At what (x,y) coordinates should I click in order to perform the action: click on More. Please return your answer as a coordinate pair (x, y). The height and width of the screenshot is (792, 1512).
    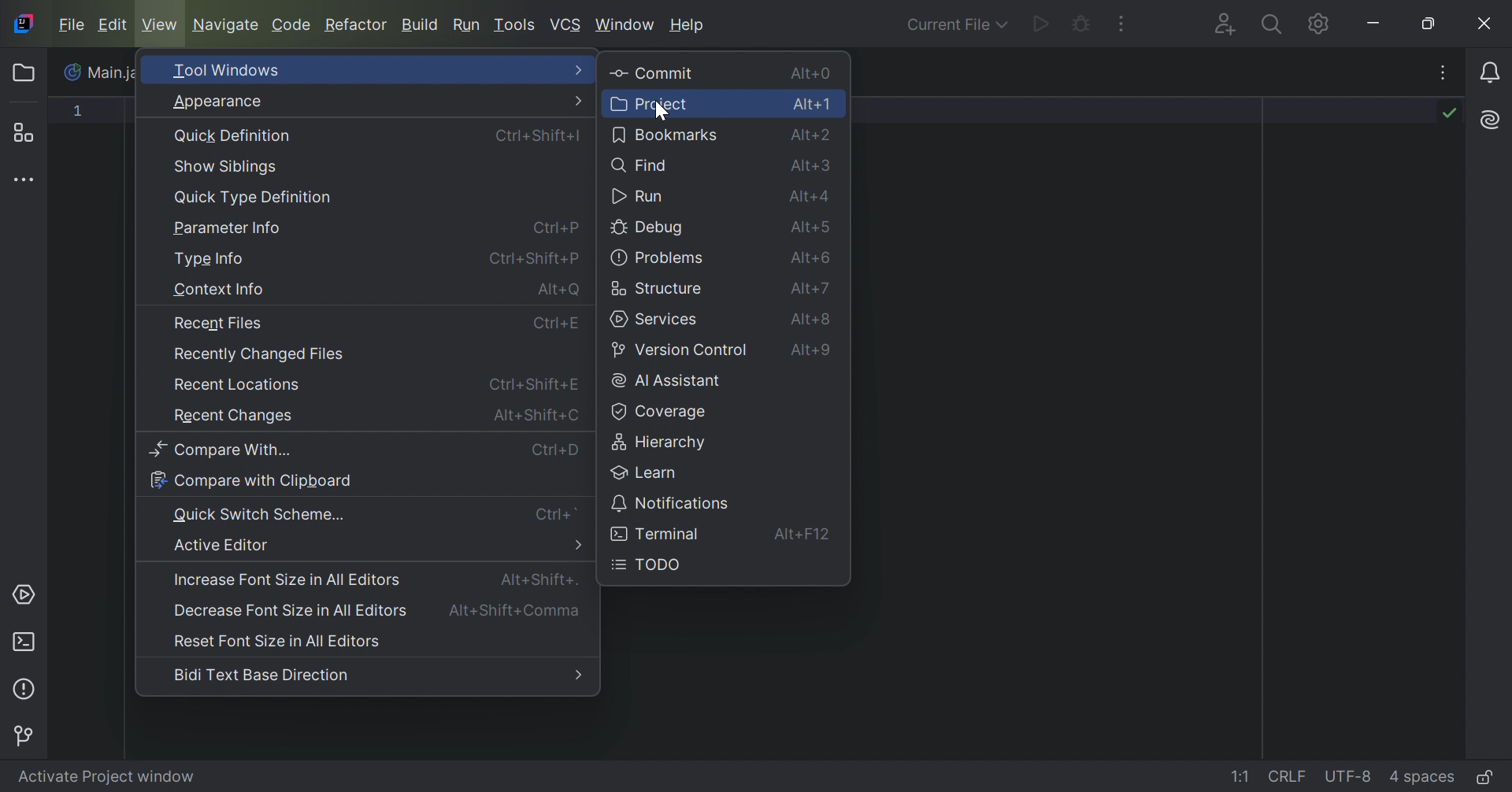
    Looking at the image, I should click on (579, 676).